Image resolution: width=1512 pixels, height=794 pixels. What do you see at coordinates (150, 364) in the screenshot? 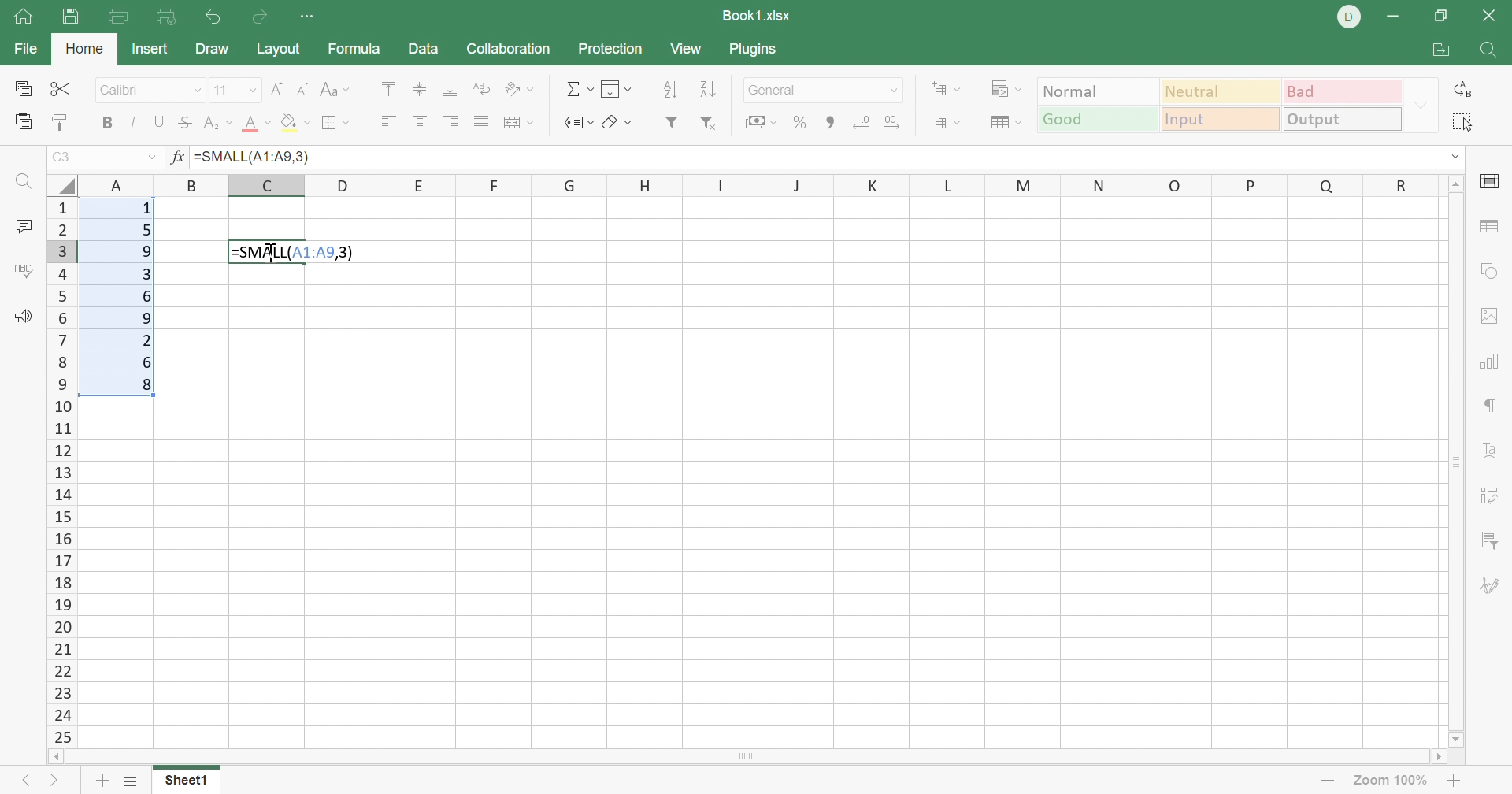
I see `6` at bounding box center [150, 364].